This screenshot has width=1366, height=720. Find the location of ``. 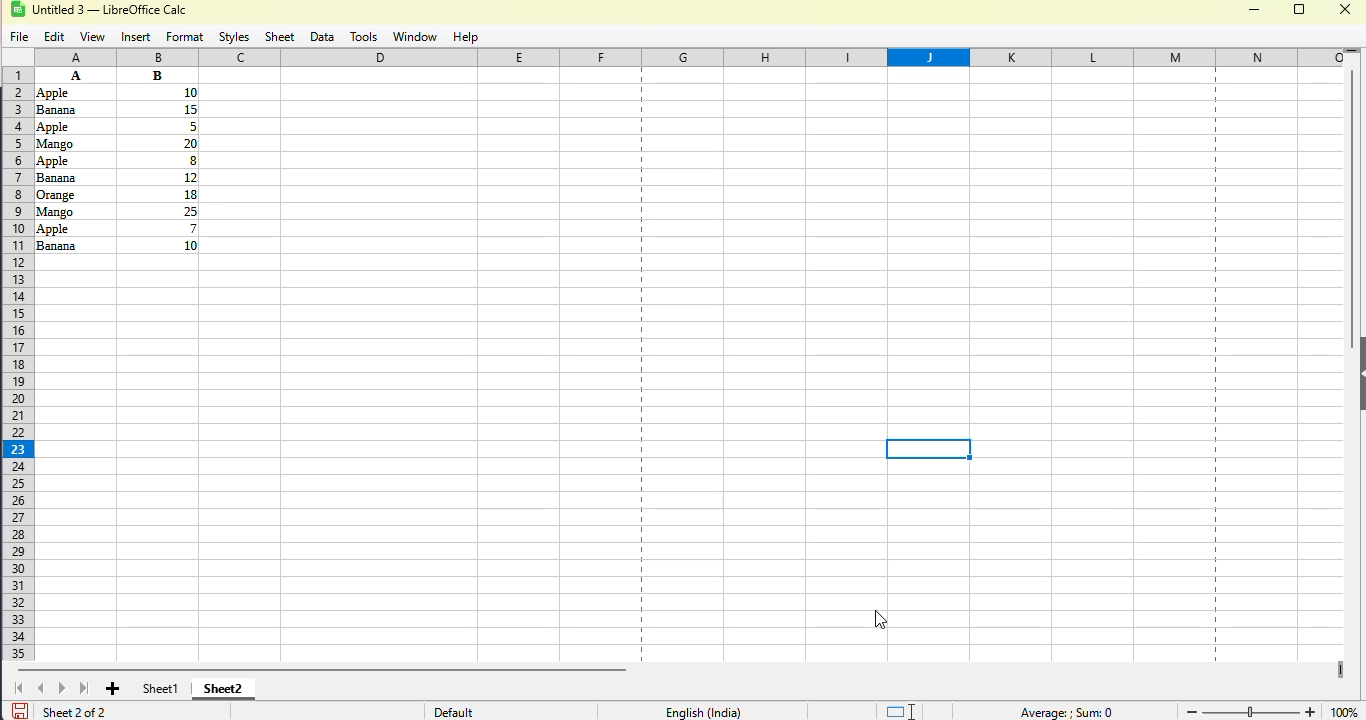

 is located at coordinates (73, 142).